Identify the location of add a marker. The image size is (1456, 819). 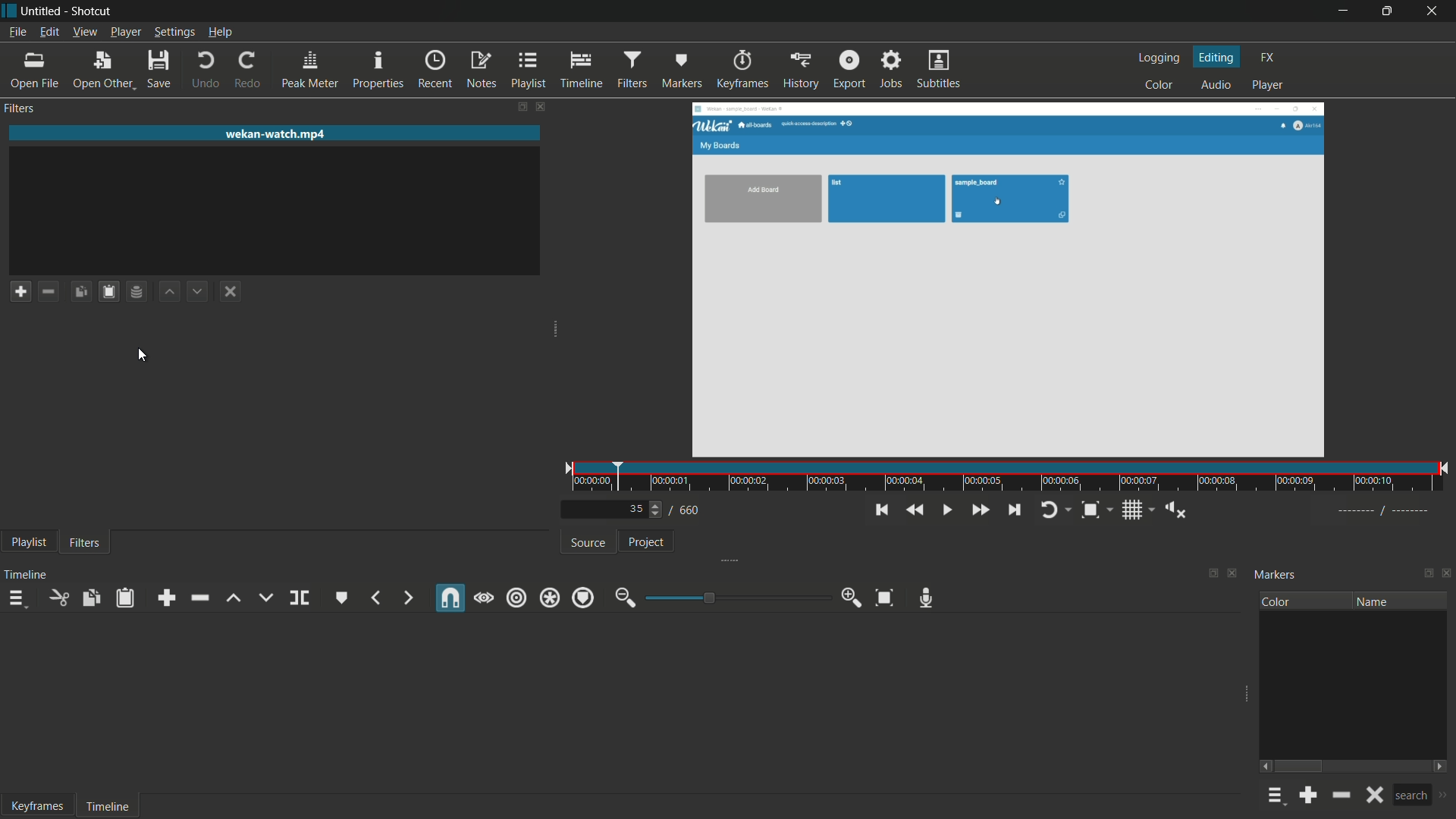
(1309, 796).